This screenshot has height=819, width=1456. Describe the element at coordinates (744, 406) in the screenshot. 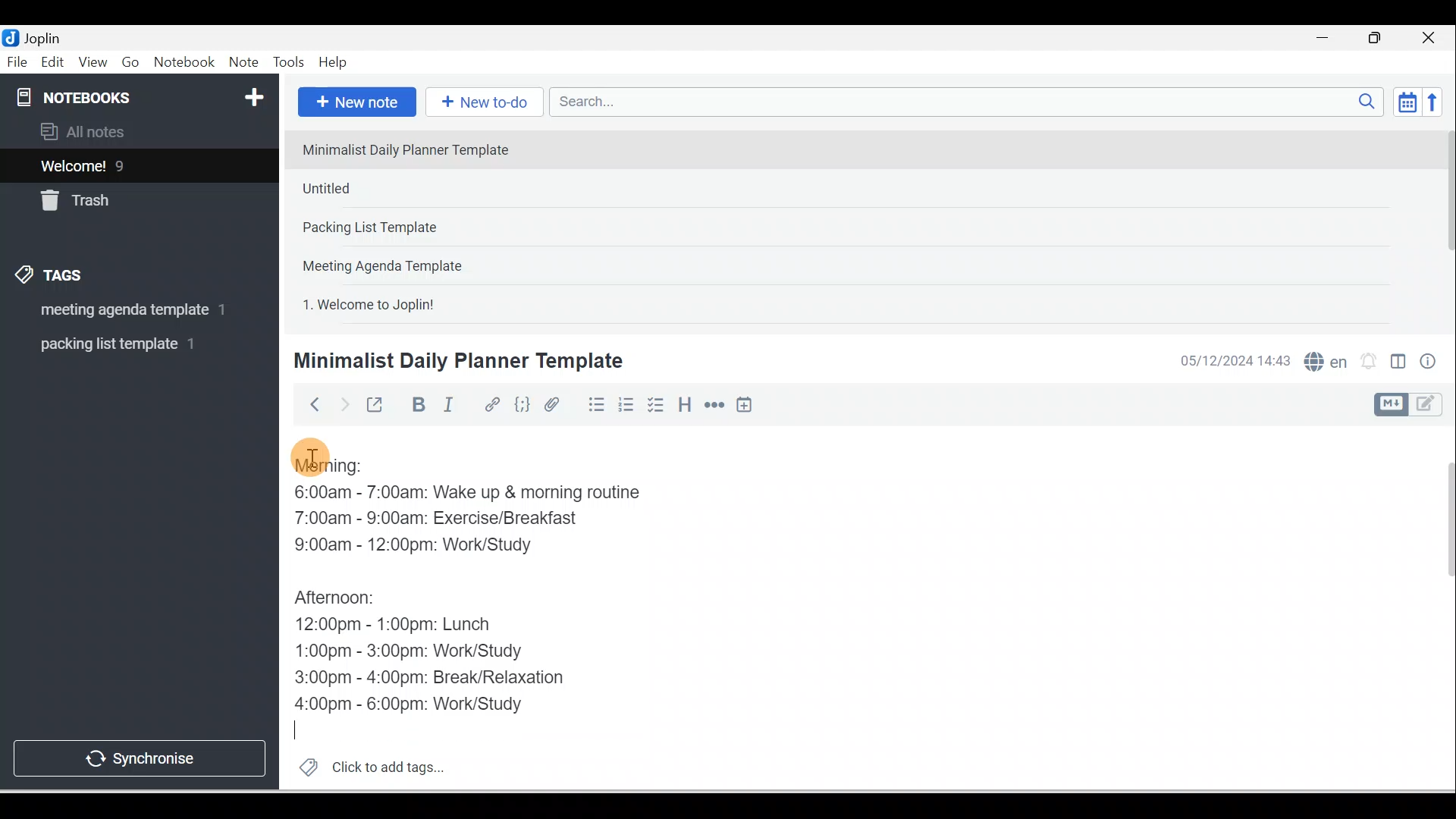

I see `Insert time` at that location.